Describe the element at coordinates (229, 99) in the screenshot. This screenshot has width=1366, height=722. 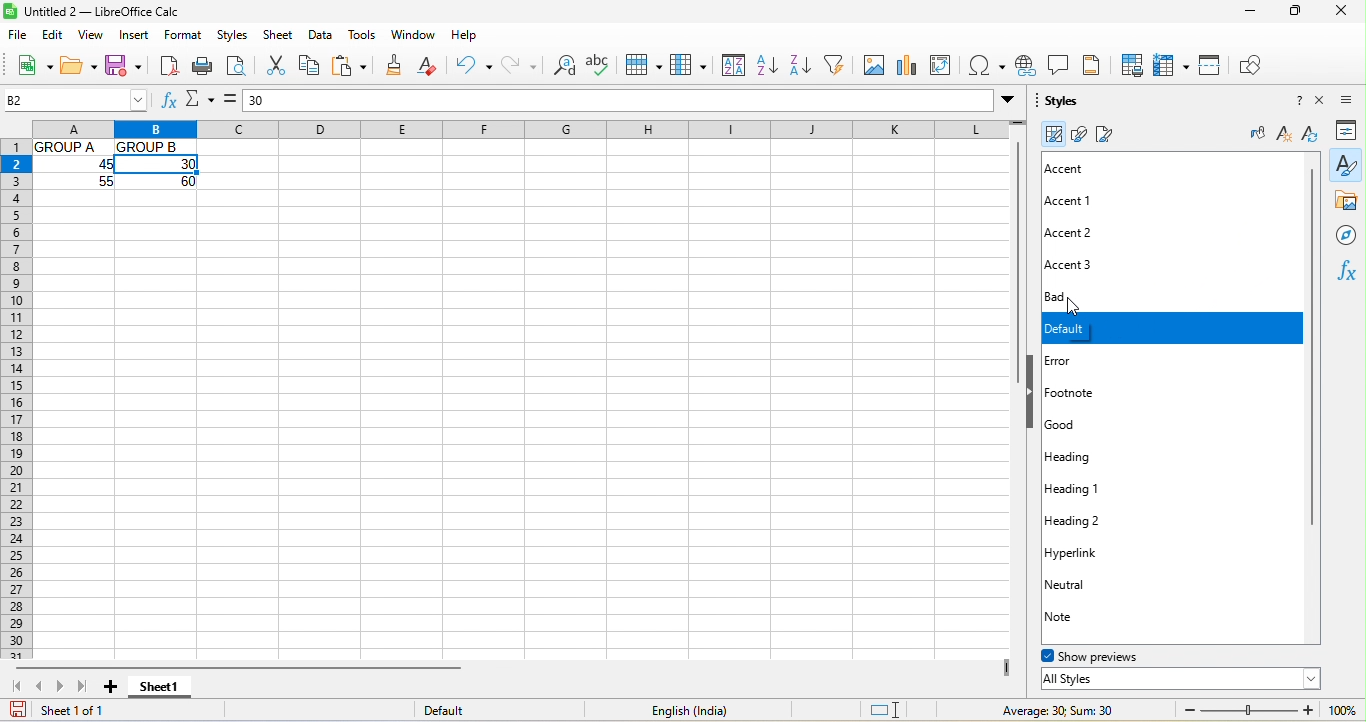
I see `formula` at that location.